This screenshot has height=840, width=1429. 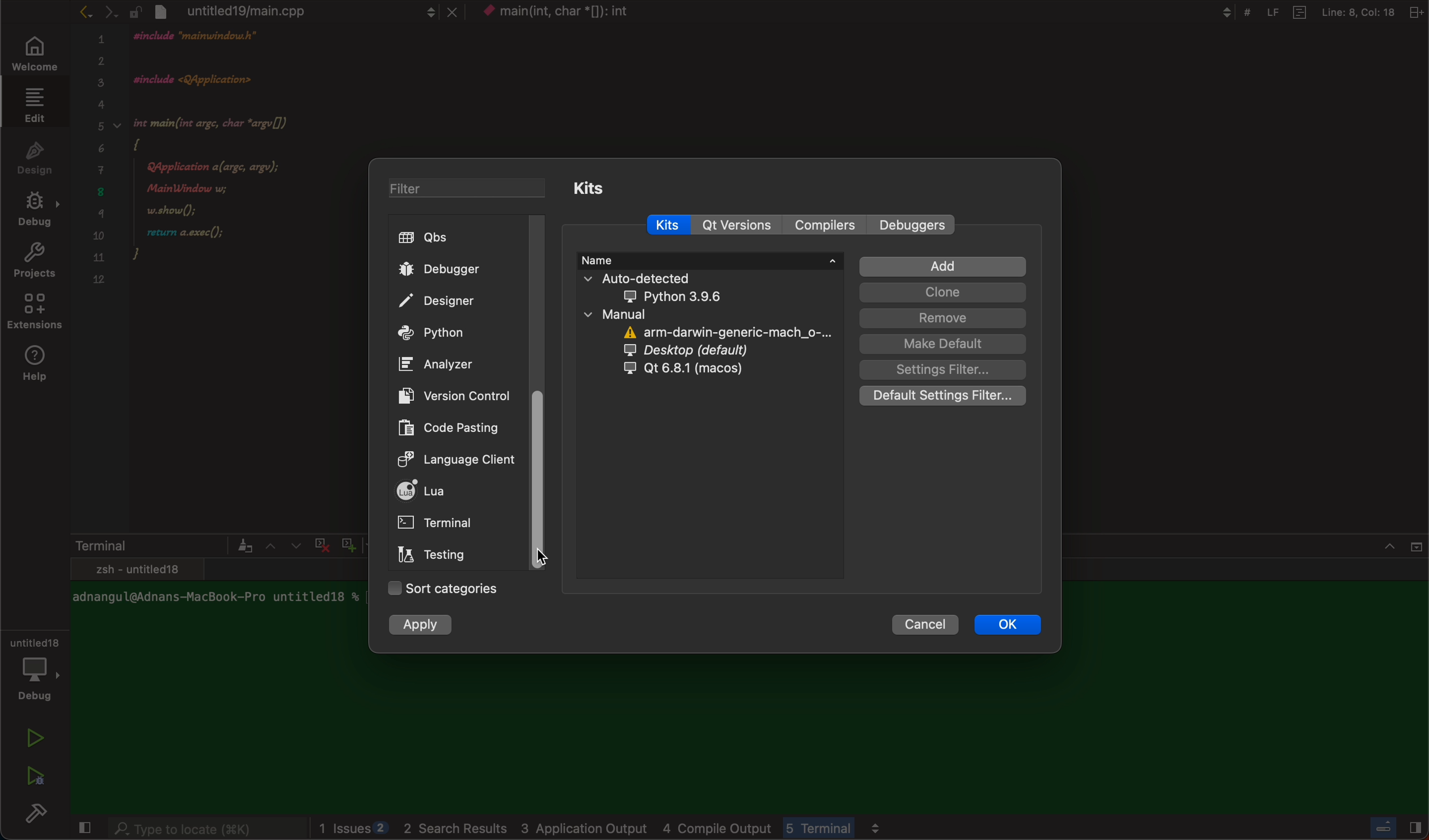 What do you see at coordinates (461, 238) in the screenshot?
I see `qbs` at bounding box center [461, 238].